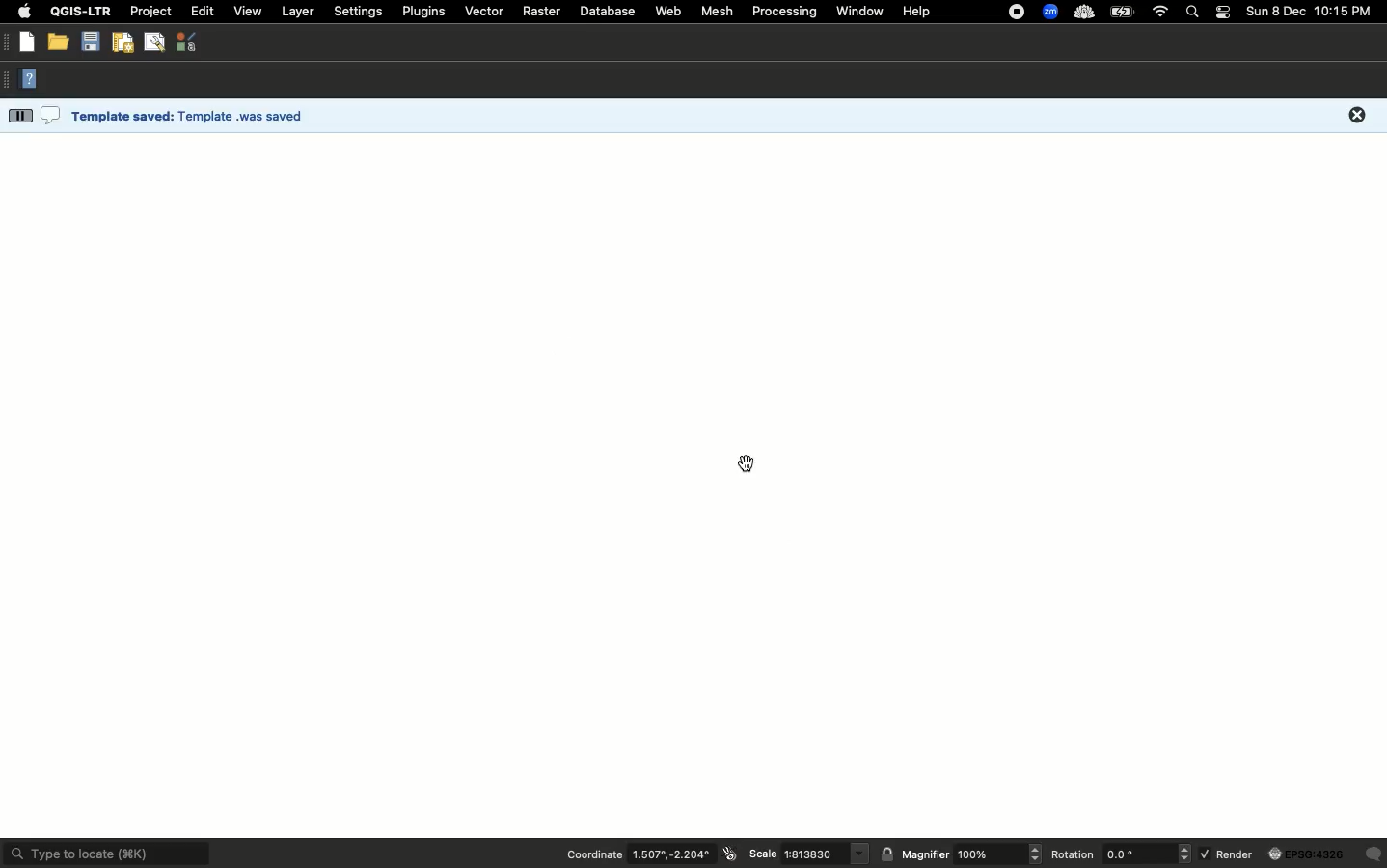 The image size is (1387, 868). I want to click on Edit, so click(200, 12).